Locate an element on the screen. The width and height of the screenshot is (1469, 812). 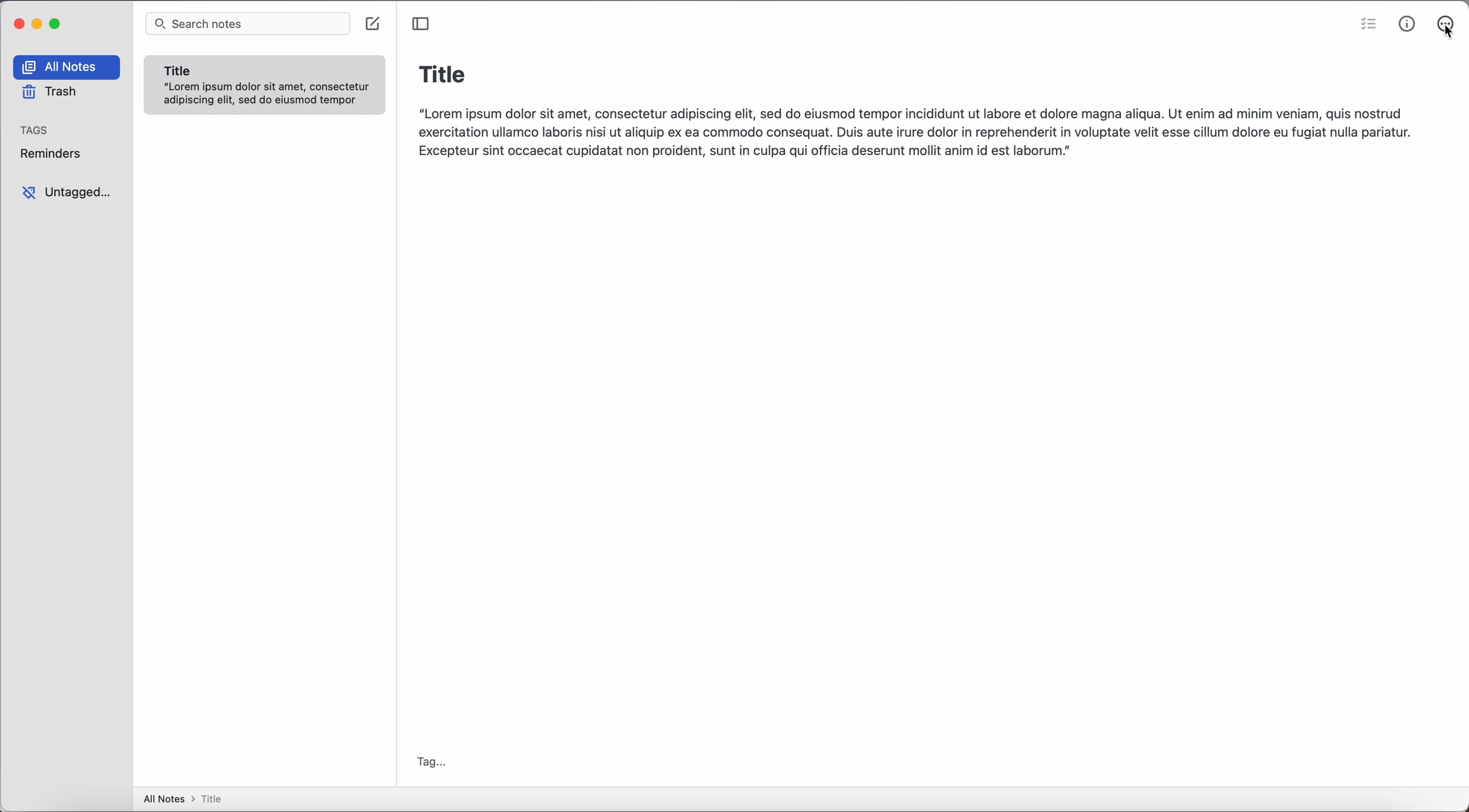
body text is located at coordinates (914, 130).